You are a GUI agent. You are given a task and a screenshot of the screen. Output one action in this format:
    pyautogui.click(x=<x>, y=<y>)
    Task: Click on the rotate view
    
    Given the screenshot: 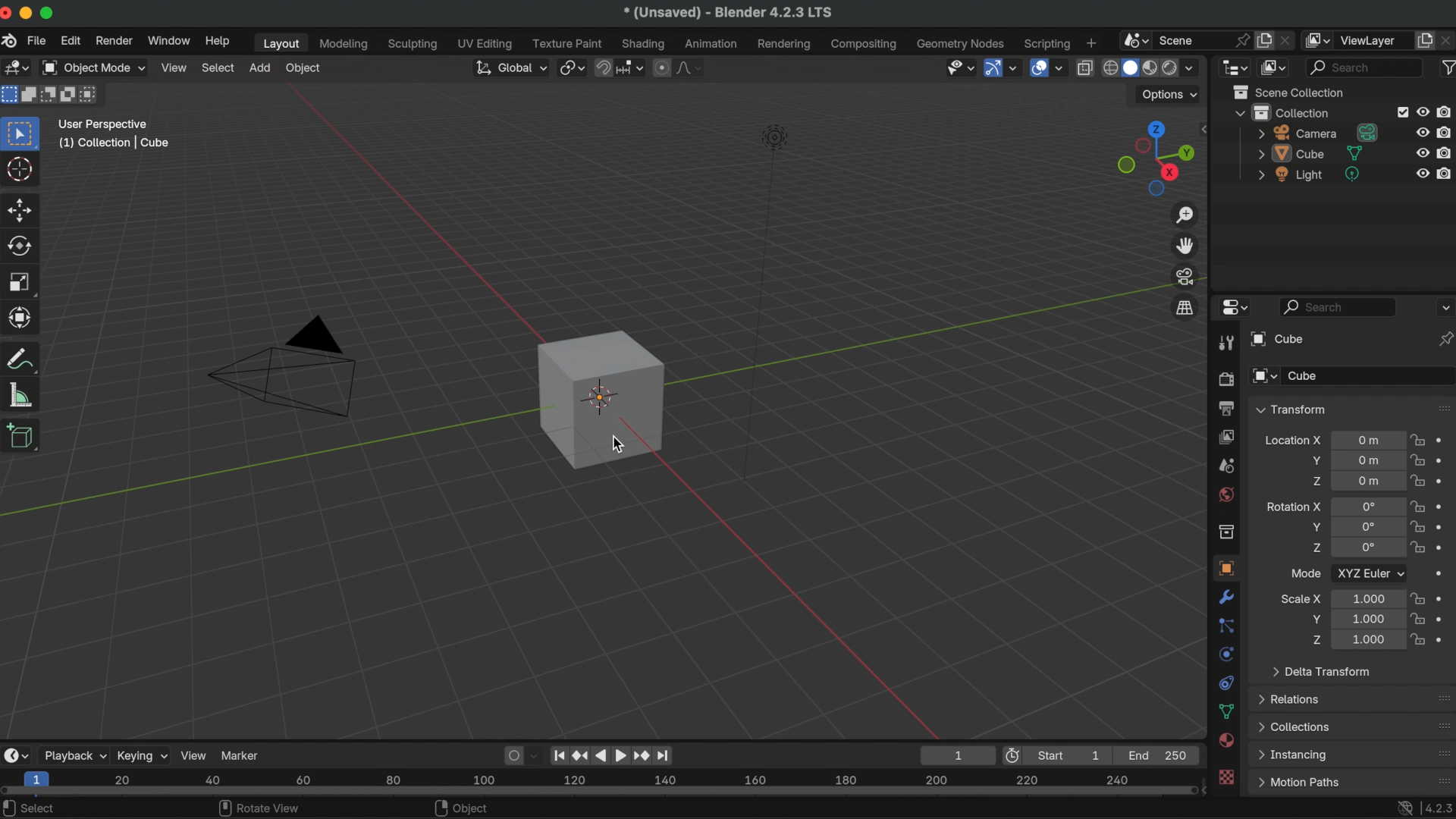 What is the action you would take?
    pyautogui.click(x=259, y=808)
    